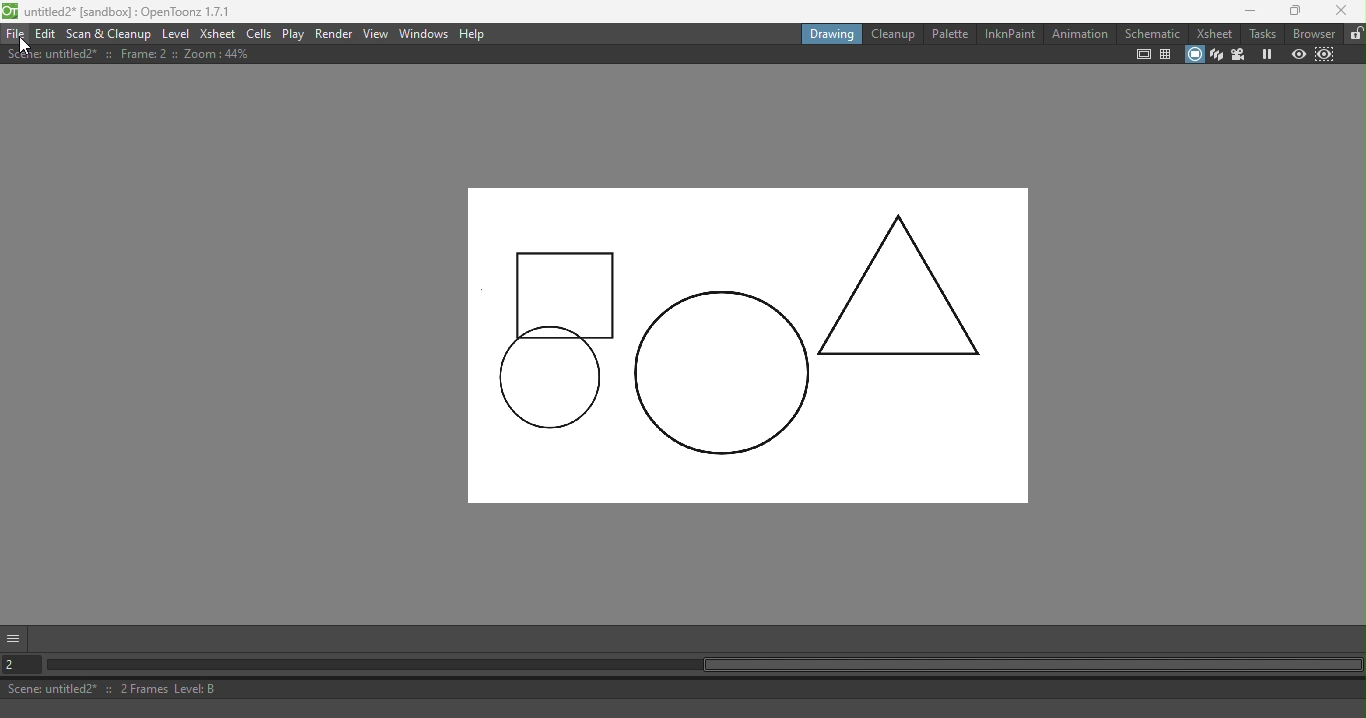 This screenshot has width=1366, height=718. What do you see at coordinates (1345, 12) in the screenshot?
I see `Close` at bounding box center [1345, 12].